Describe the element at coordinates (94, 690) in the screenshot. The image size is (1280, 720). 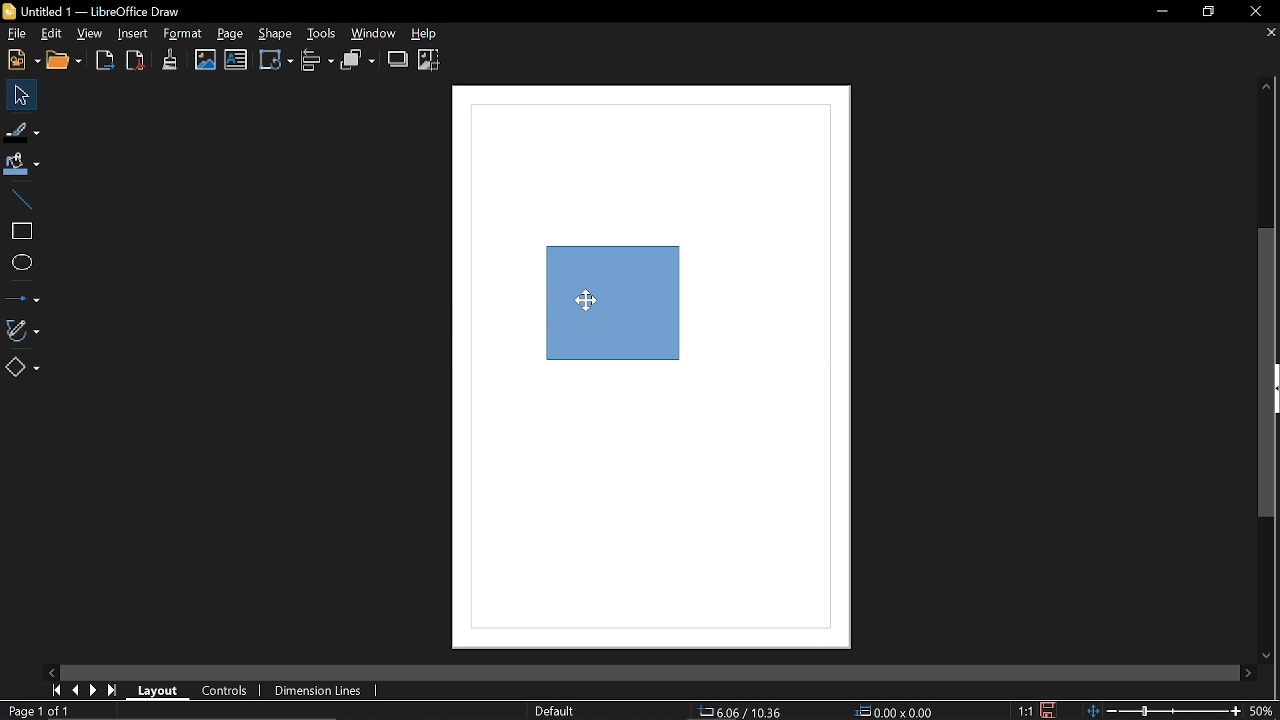
I see `Next page` at that location.